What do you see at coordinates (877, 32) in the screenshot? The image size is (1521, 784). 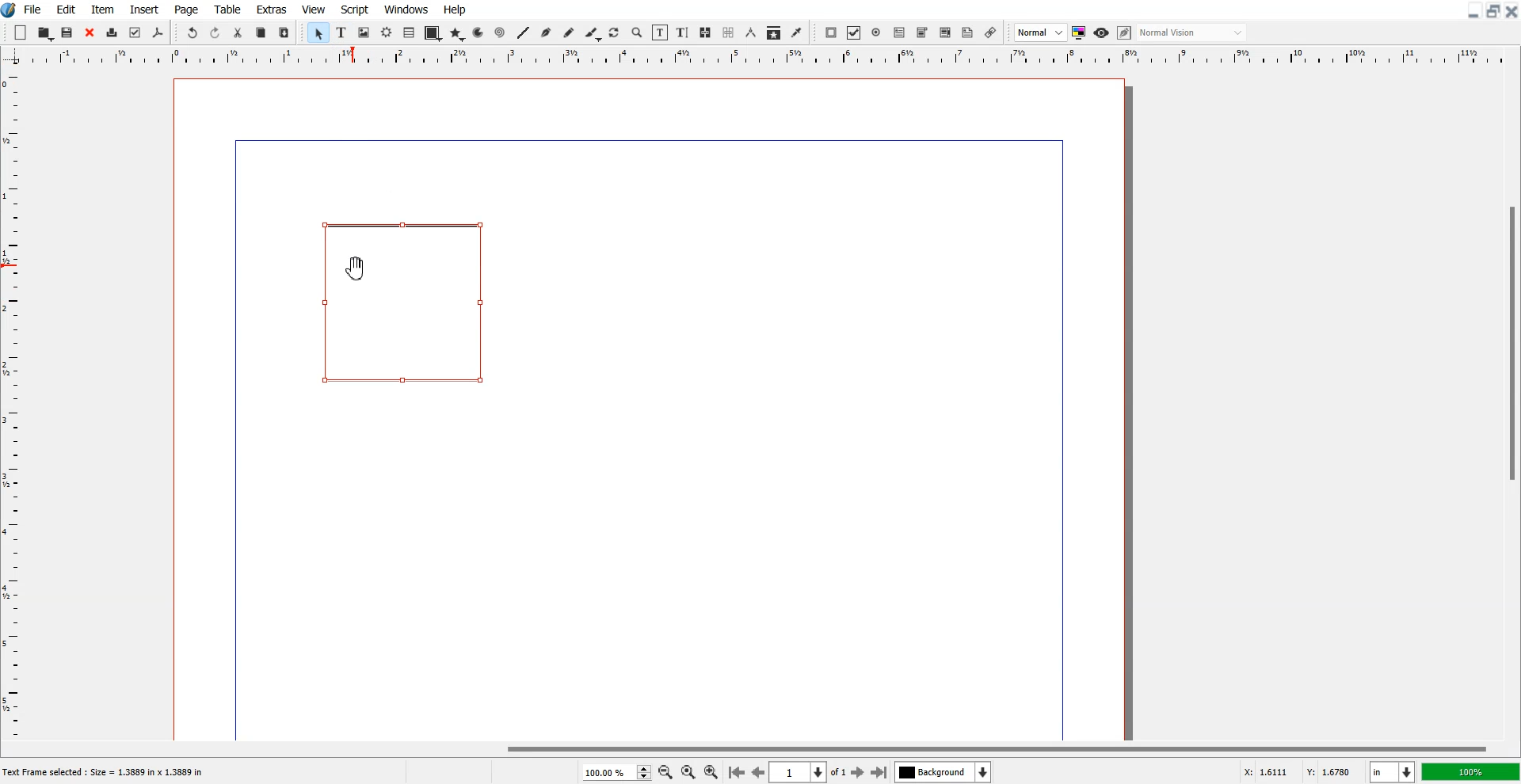 I see `PDF Radio Button` at bounding box center [877, 32].